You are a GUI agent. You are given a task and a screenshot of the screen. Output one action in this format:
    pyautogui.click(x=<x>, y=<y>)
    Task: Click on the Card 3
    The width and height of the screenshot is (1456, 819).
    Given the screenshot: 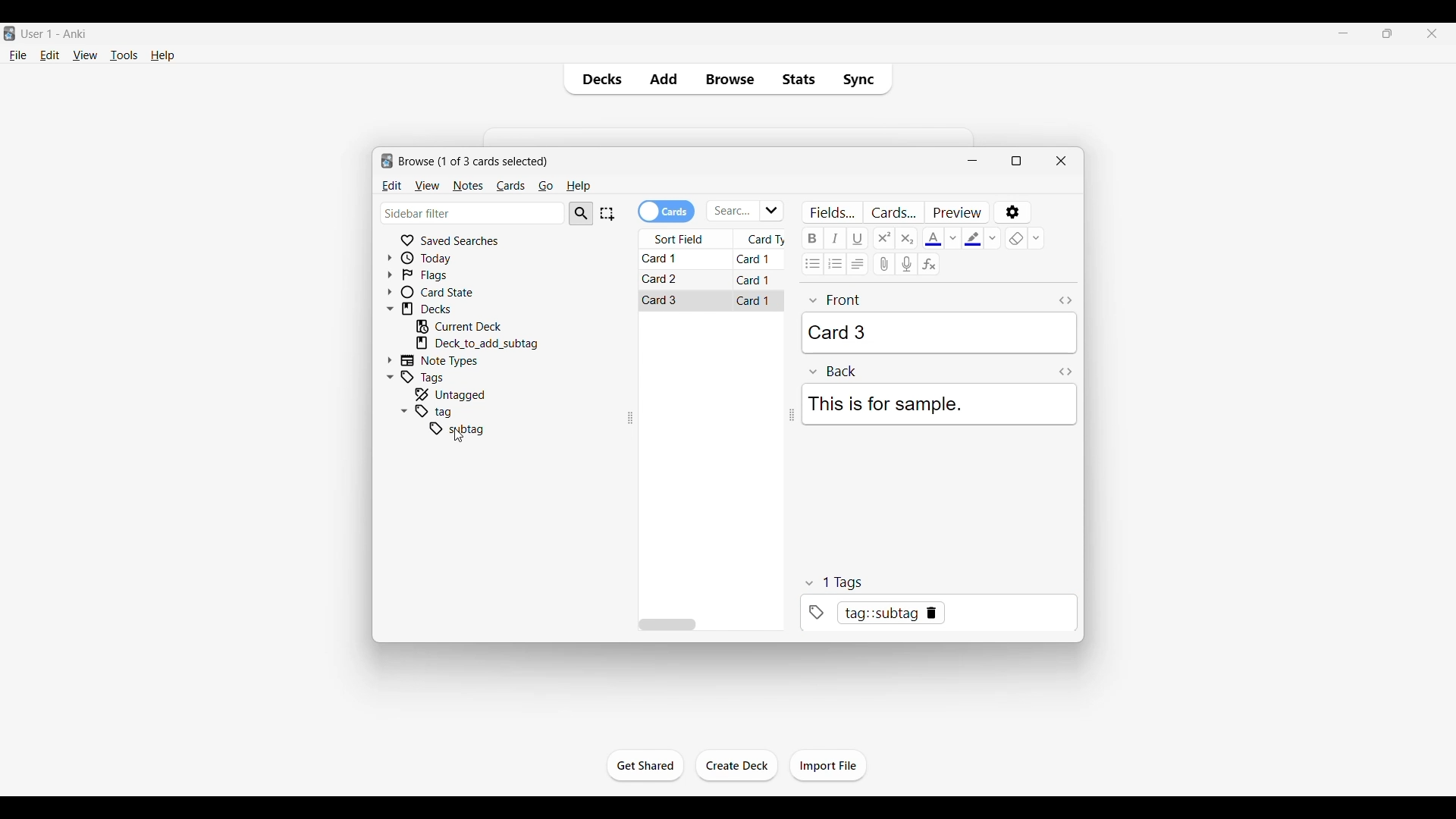 What is the action you would take?
    pyautogui.click(x=939, y=333)
    